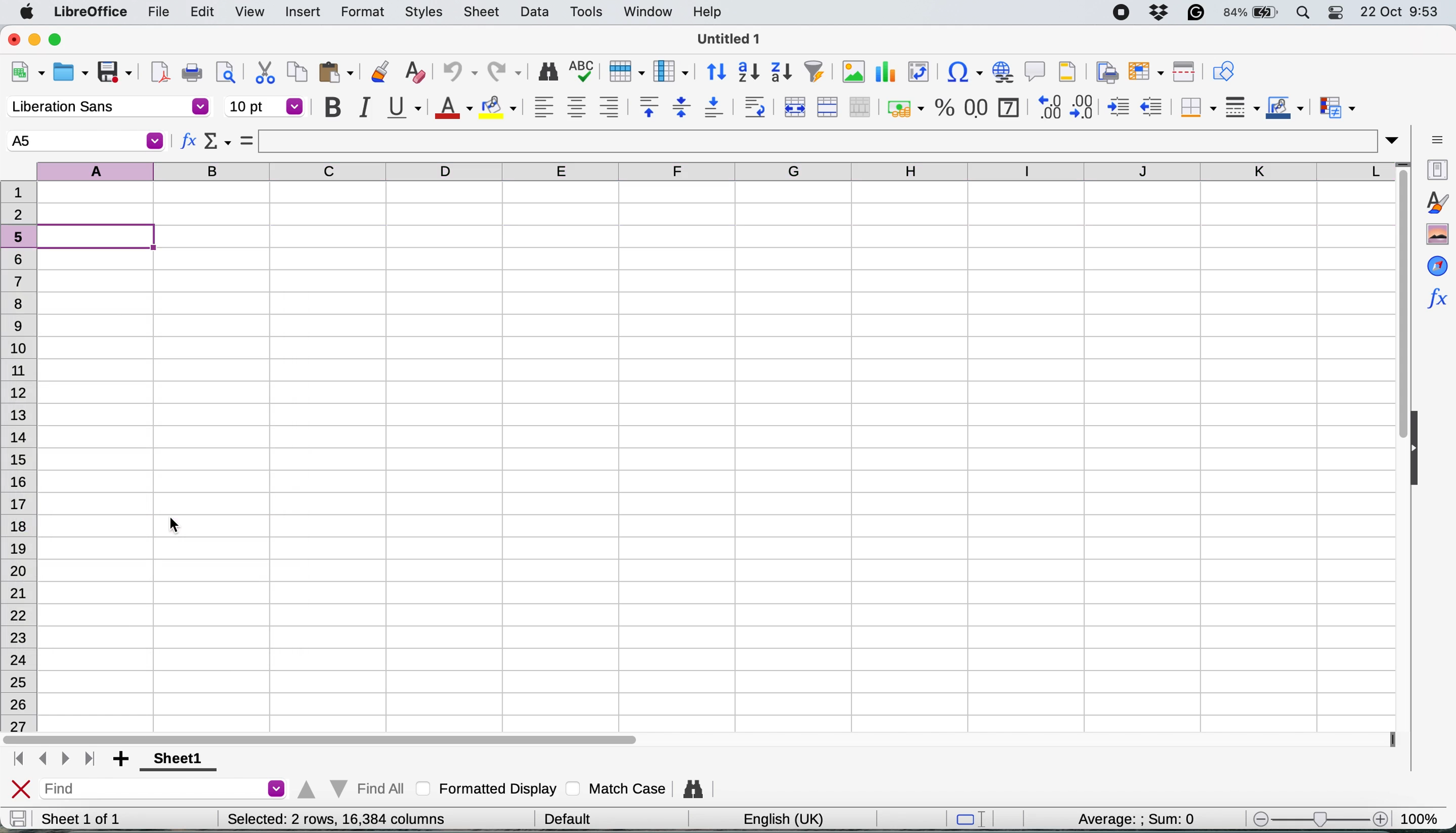 The width and height of the screenshot is (1456, 833). I want to click on default, so click(572, 817).